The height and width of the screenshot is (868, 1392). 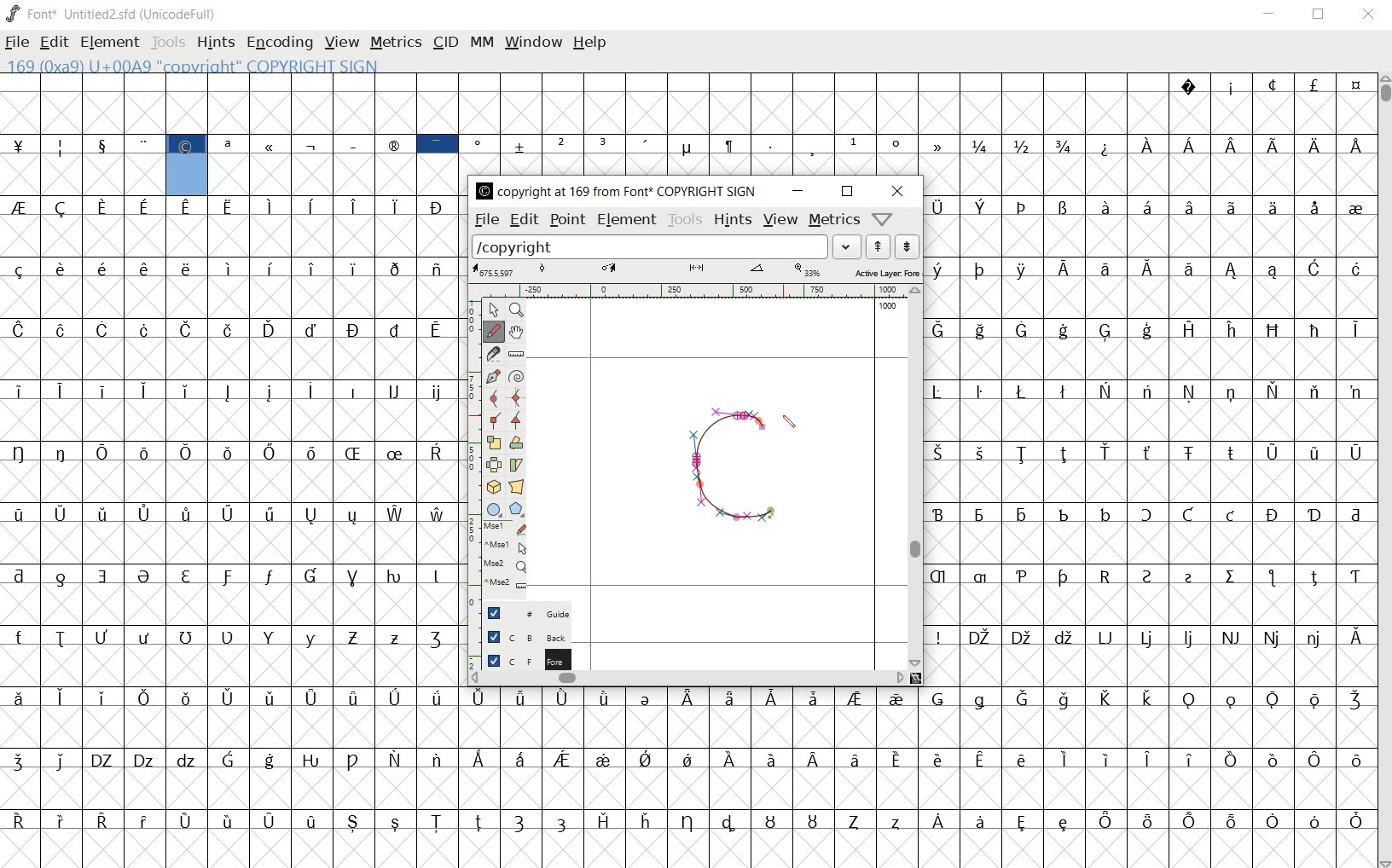 I want to click on ruler, so click(x=694, y=291).